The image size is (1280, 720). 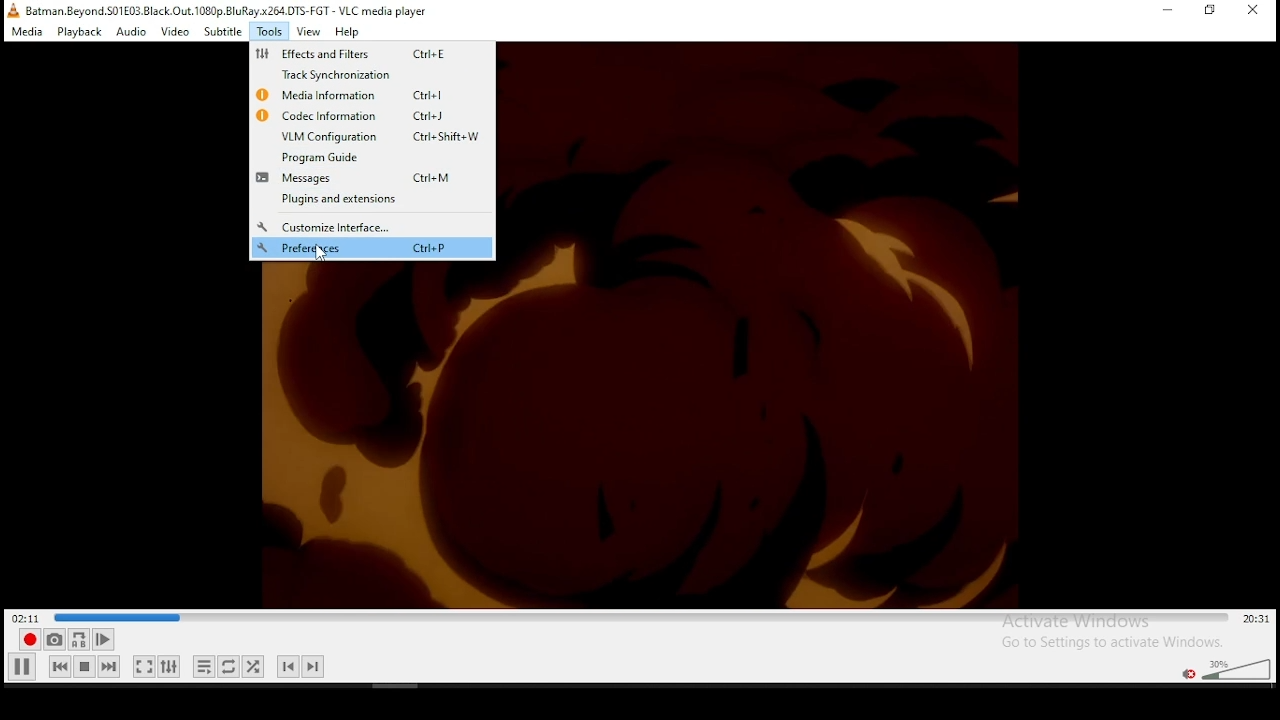 What do you see at coordinates (1170, 10) in the screenshot?
I see `minimize` at bounding box center [1170, 10].